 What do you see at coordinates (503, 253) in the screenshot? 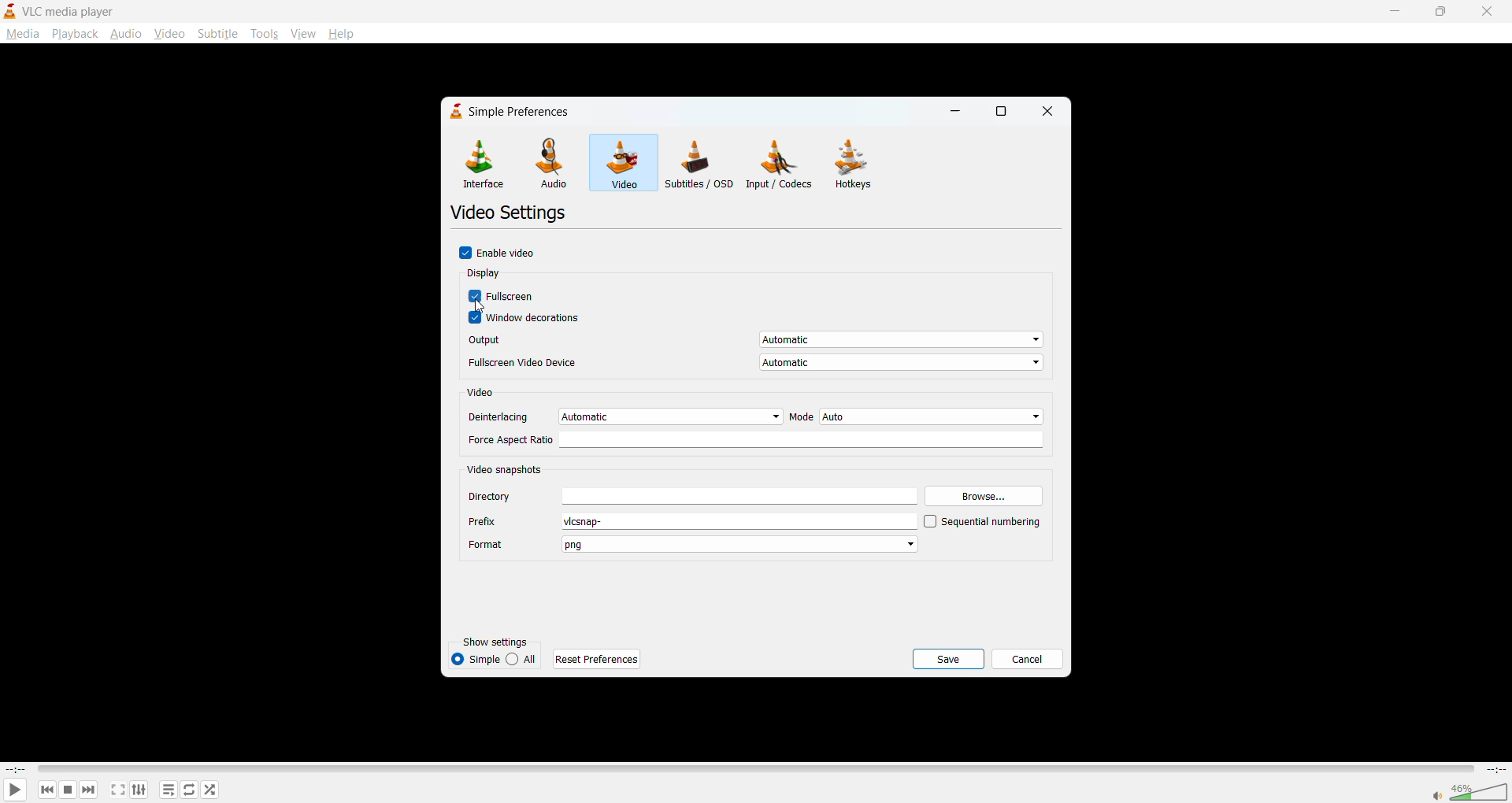
I see `enable video` at bounding box center [503, 253].